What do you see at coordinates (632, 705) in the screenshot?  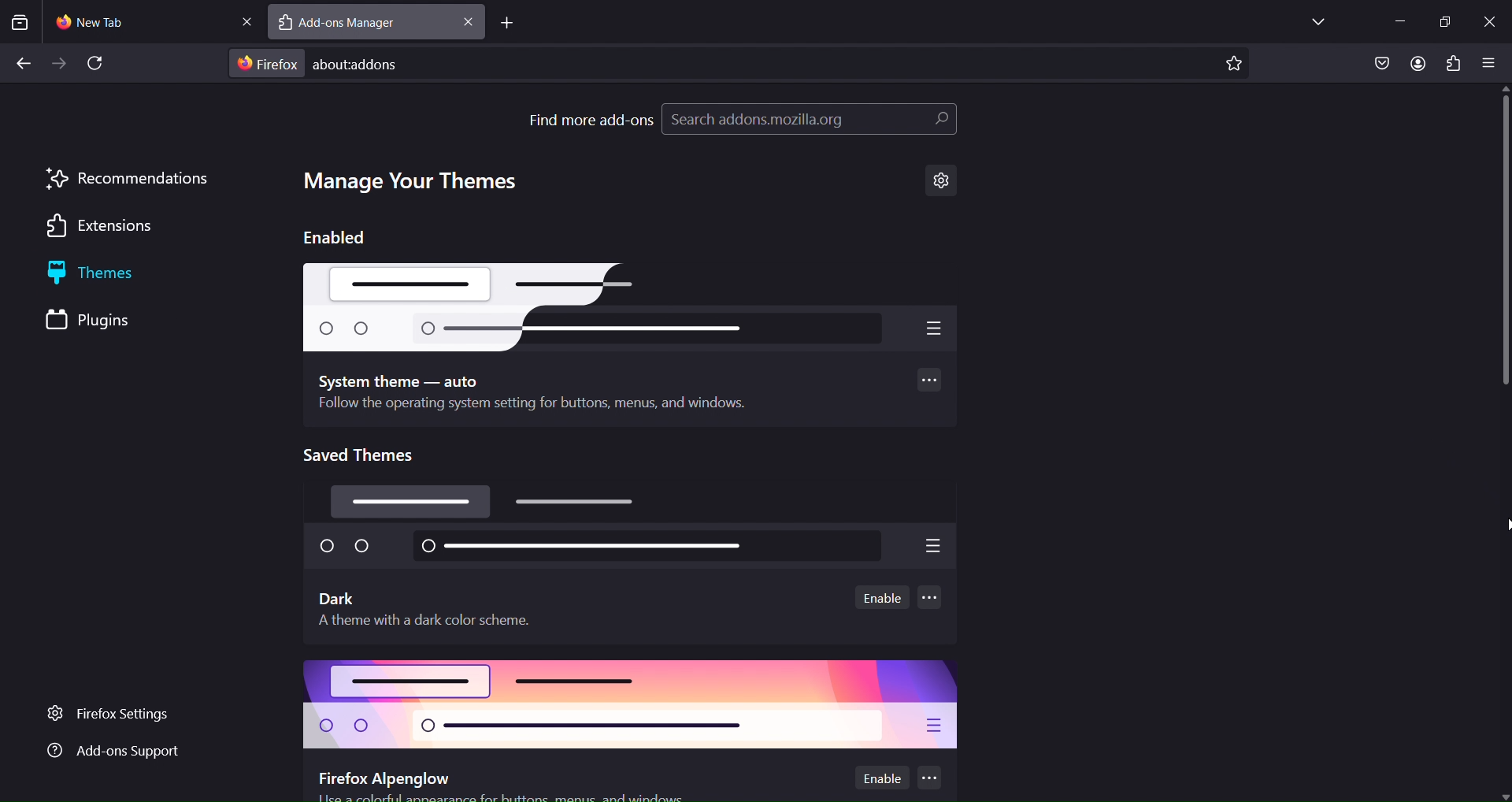 I see `firefox alpenglow` at bounding box center [632, 705].